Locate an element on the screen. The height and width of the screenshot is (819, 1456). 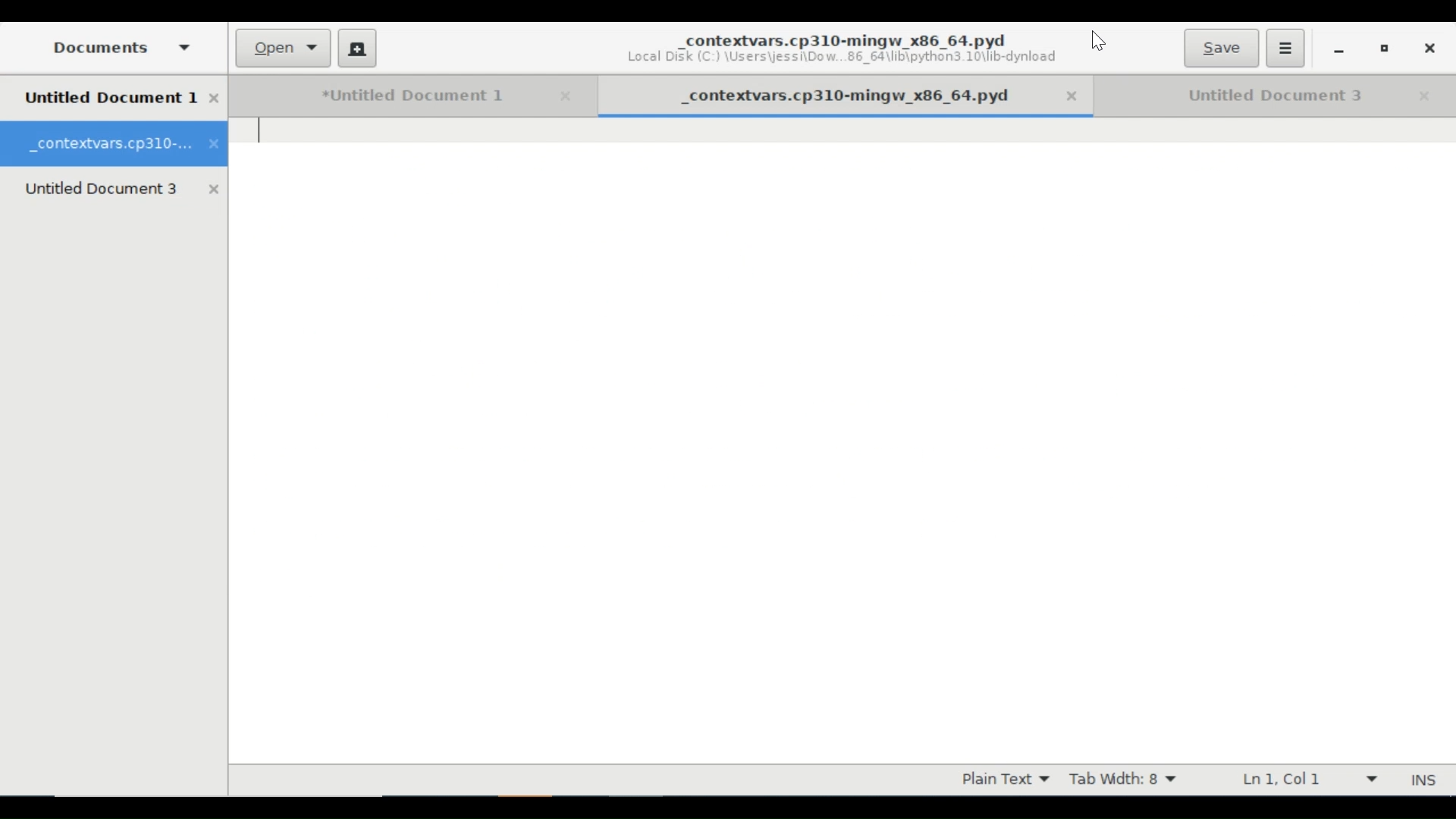
Close is located at coordinates (1428, 49).